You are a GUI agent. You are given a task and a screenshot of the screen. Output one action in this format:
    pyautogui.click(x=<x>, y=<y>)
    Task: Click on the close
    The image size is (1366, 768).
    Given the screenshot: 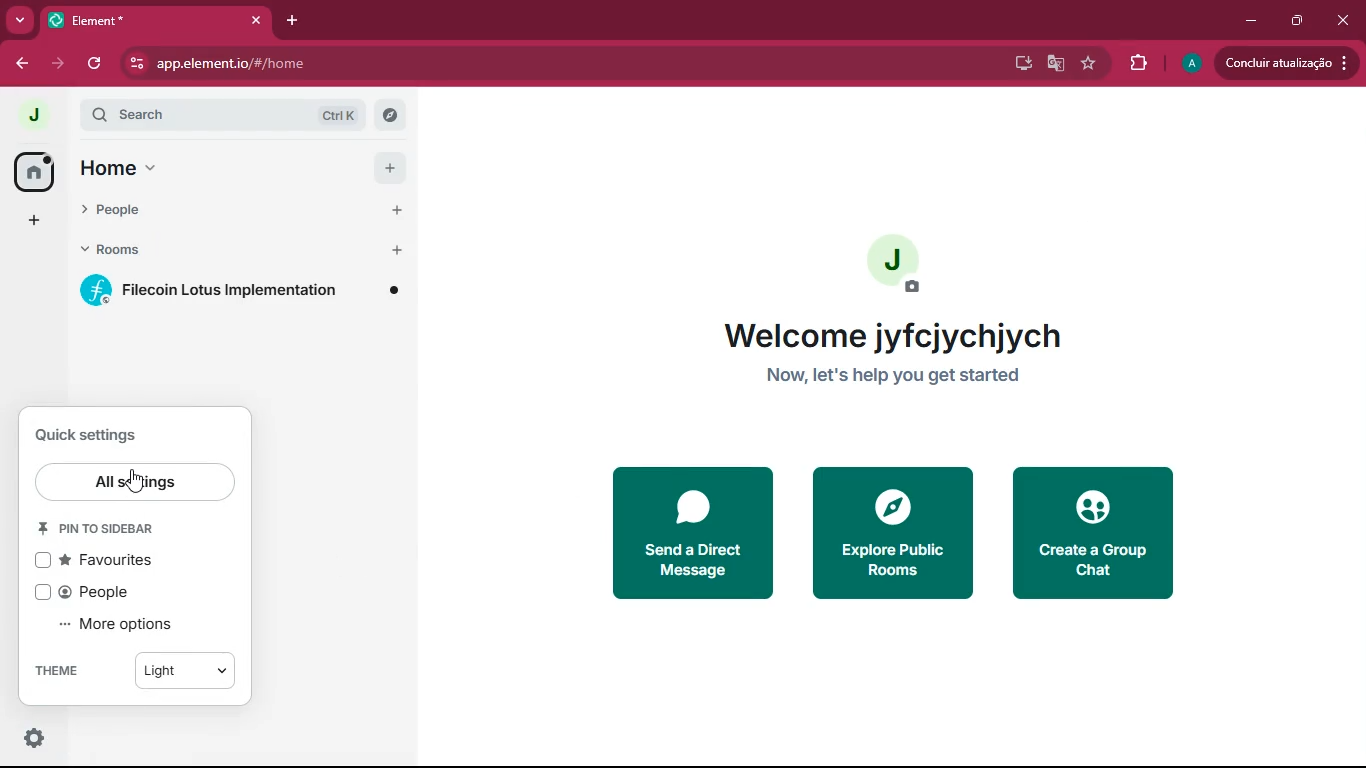 What is the action you would take?
    pyautogui.click(x=1344, y=19)
    